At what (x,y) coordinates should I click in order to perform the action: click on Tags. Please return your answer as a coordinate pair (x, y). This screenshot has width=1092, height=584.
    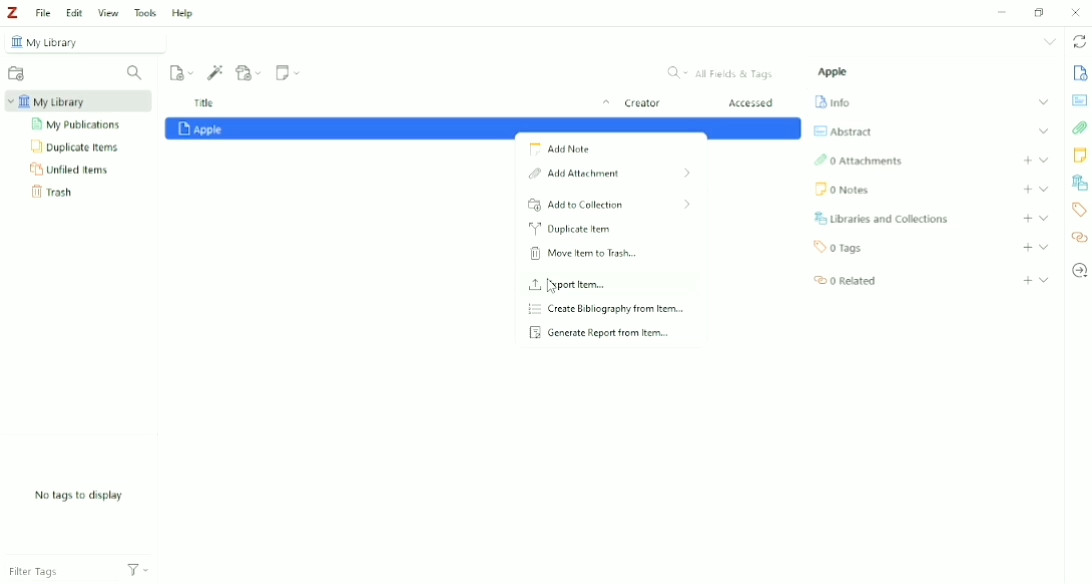
    Looking at the image, I should click on (840, 248).